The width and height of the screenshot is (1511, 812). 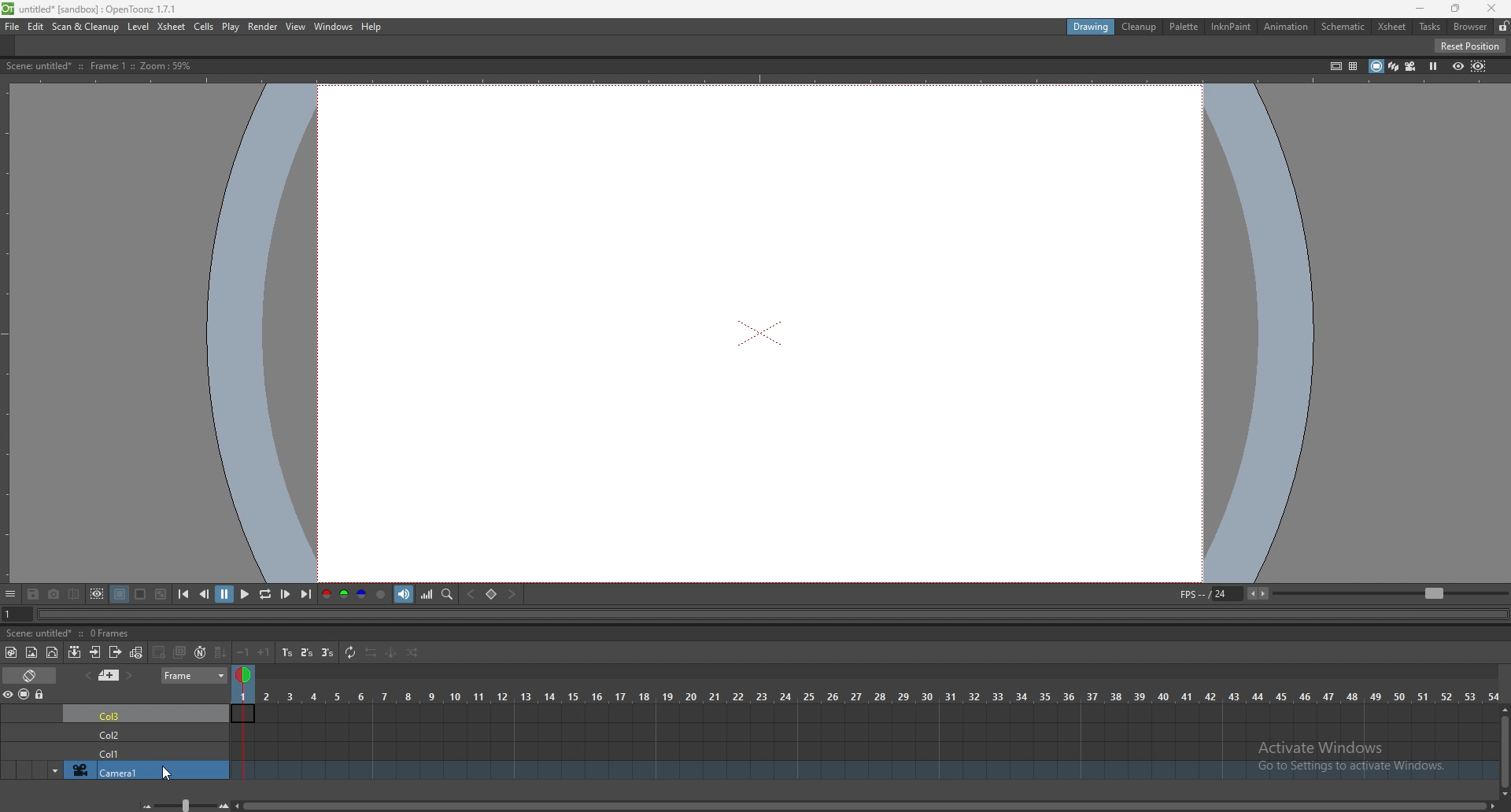 I want to click on last frame, so click(x=305, y=595).